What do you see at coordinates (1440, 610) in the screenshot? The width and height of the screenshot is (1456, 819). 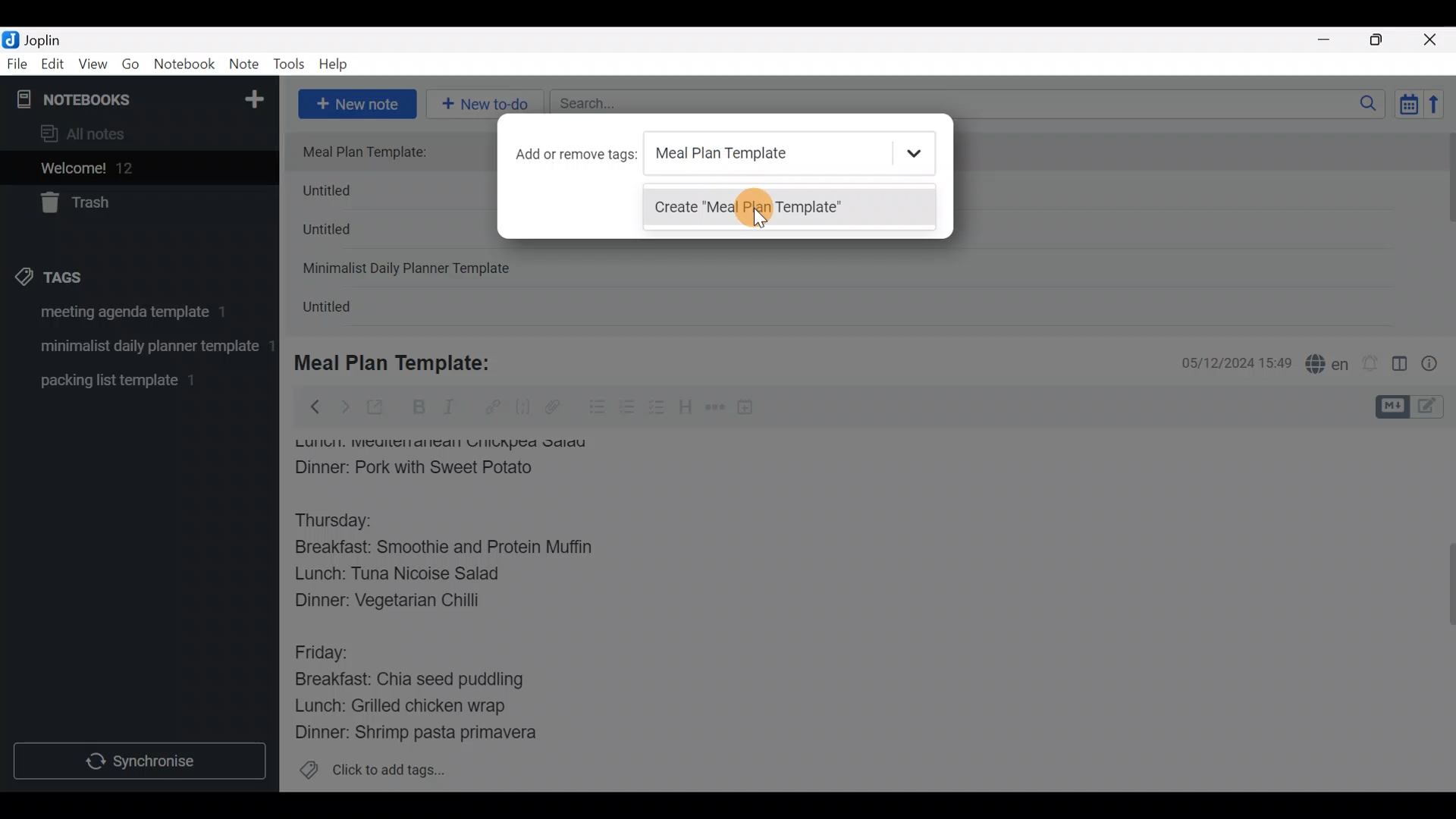 I see `Scroll bar` at bounding box center [1440, 610].